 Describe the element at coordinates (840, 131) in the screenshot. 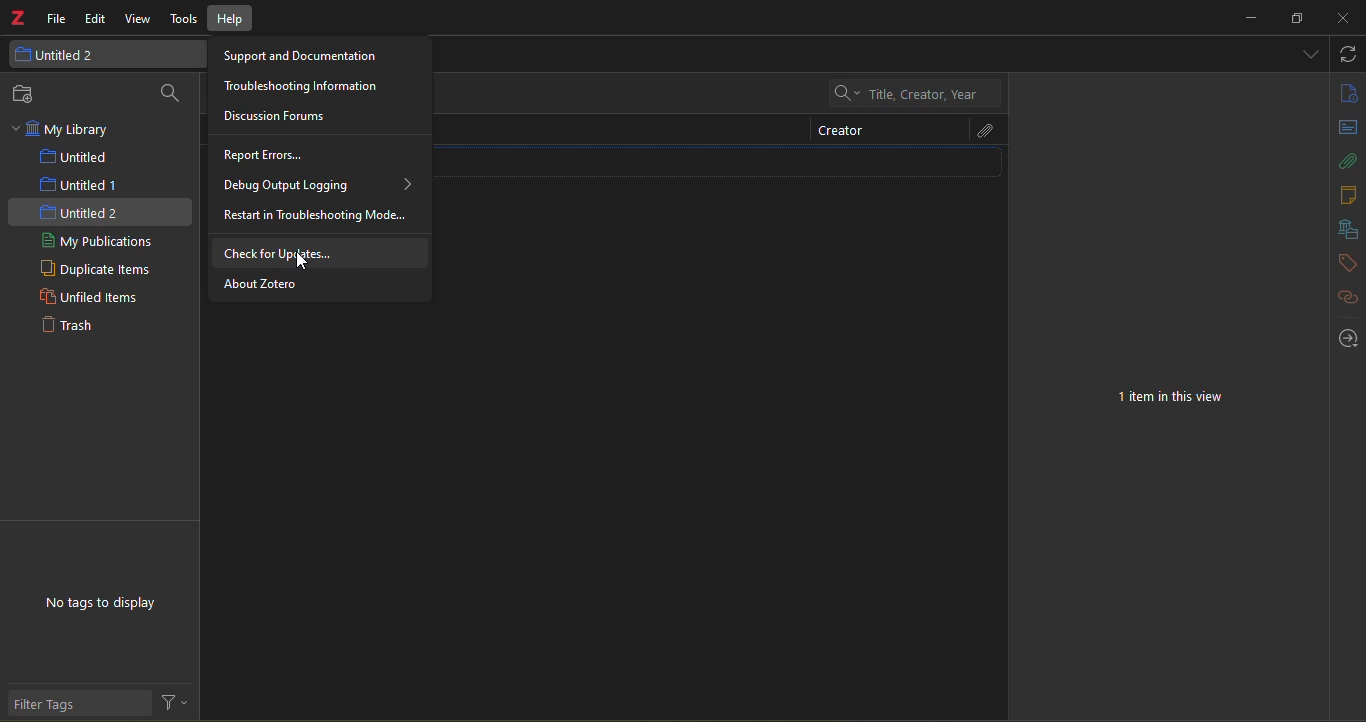

I see `creator` at that location.